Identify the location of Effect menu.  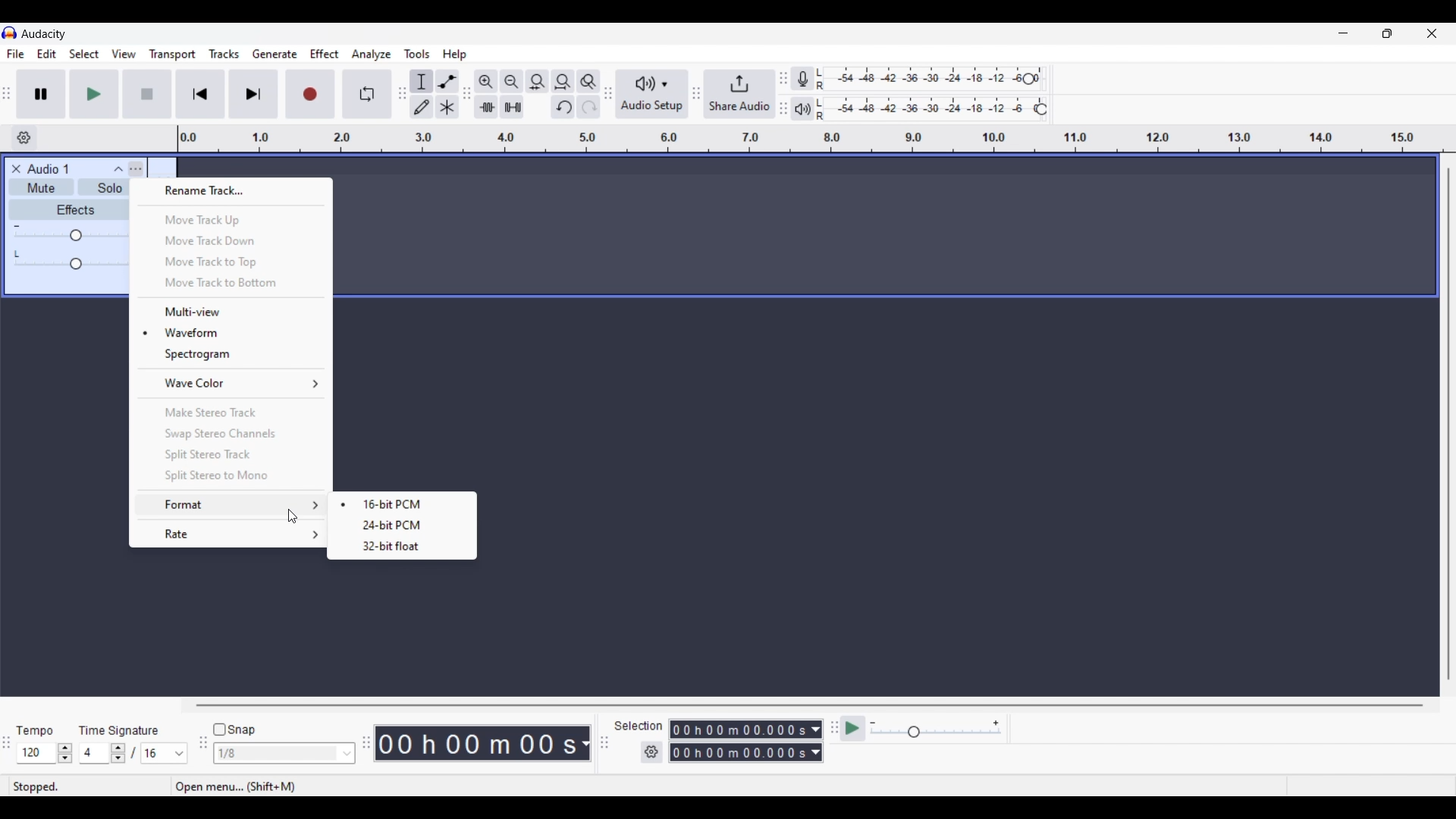
(325, 54).